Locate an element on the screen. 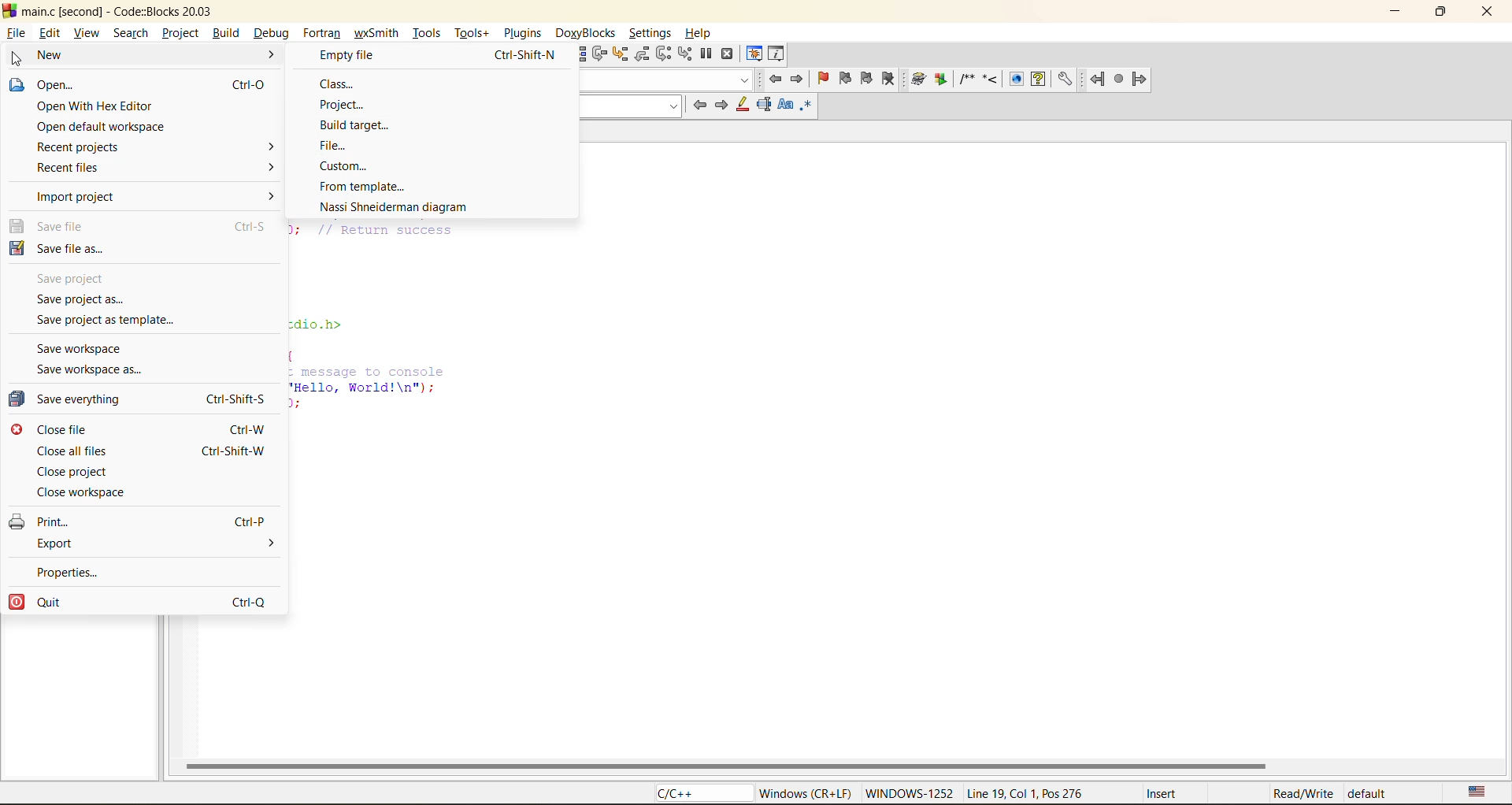  empty file is located at coordinates (429, 54).